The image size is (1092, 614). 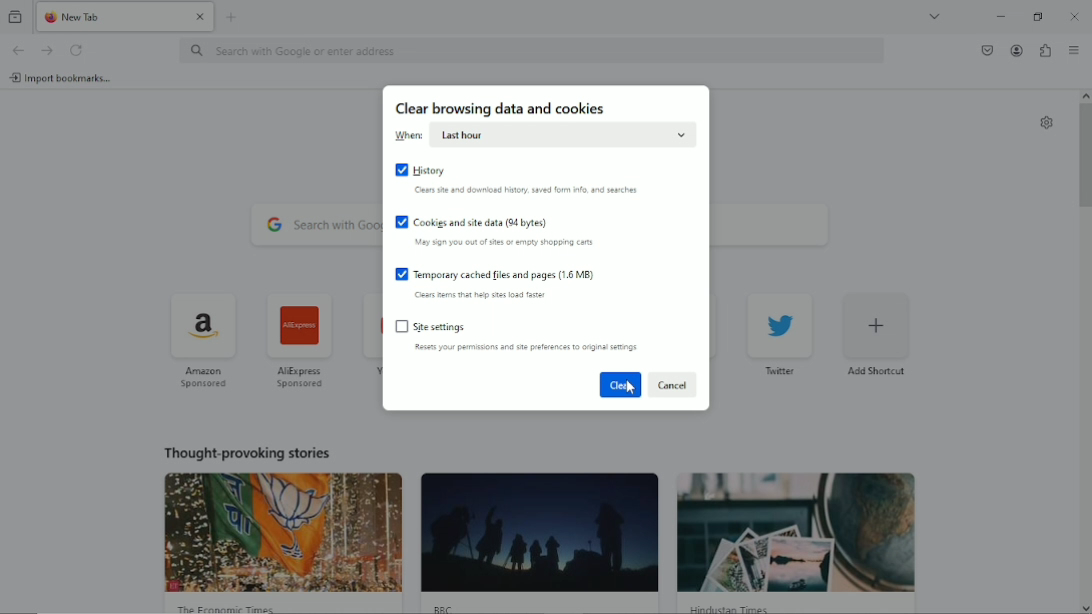 What do you see at coordinates (14, 17) in the screenshot?
I see `View recent browsing` at bounding box center [14, 17].